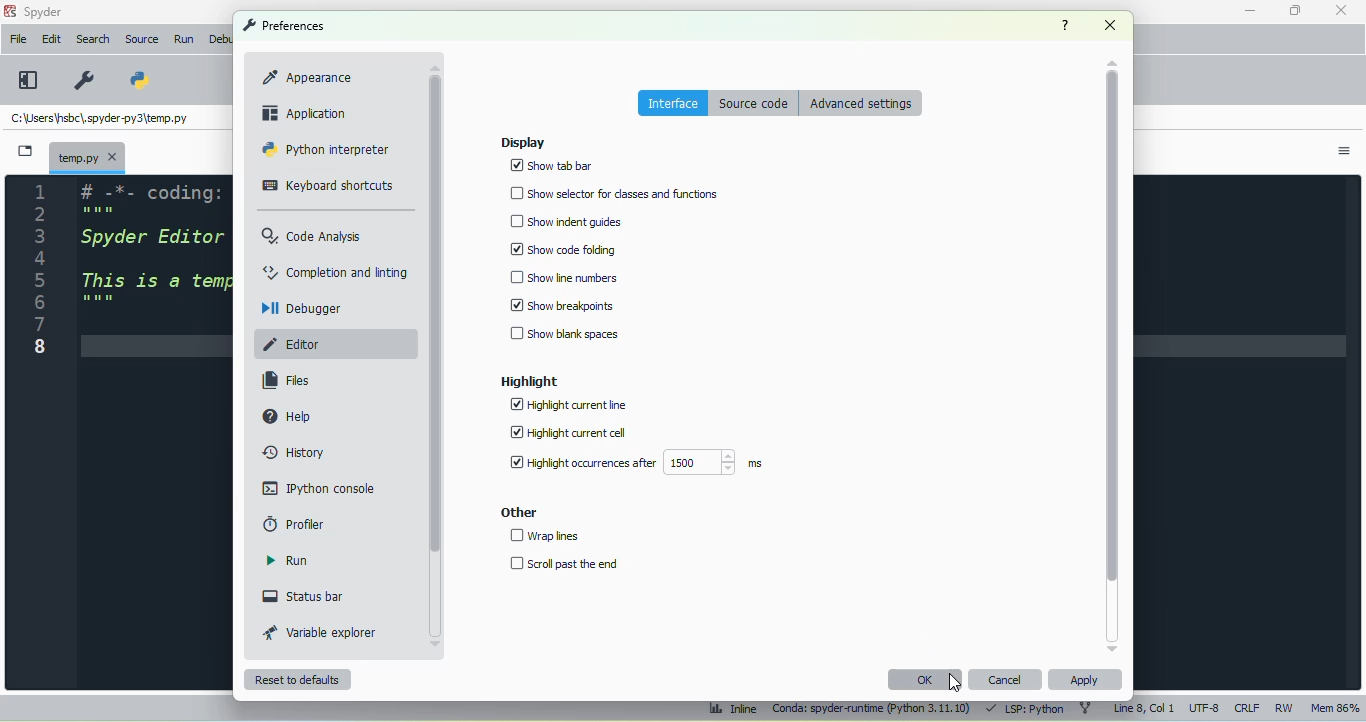 Image resolution: width=1366 pixels, height=722 pixels. What do you see at coordinates (871, 710) in the screenshot?
I see `conda: spyder-runtime (python 3. 11. 10)` at bounding box center [871, 710].